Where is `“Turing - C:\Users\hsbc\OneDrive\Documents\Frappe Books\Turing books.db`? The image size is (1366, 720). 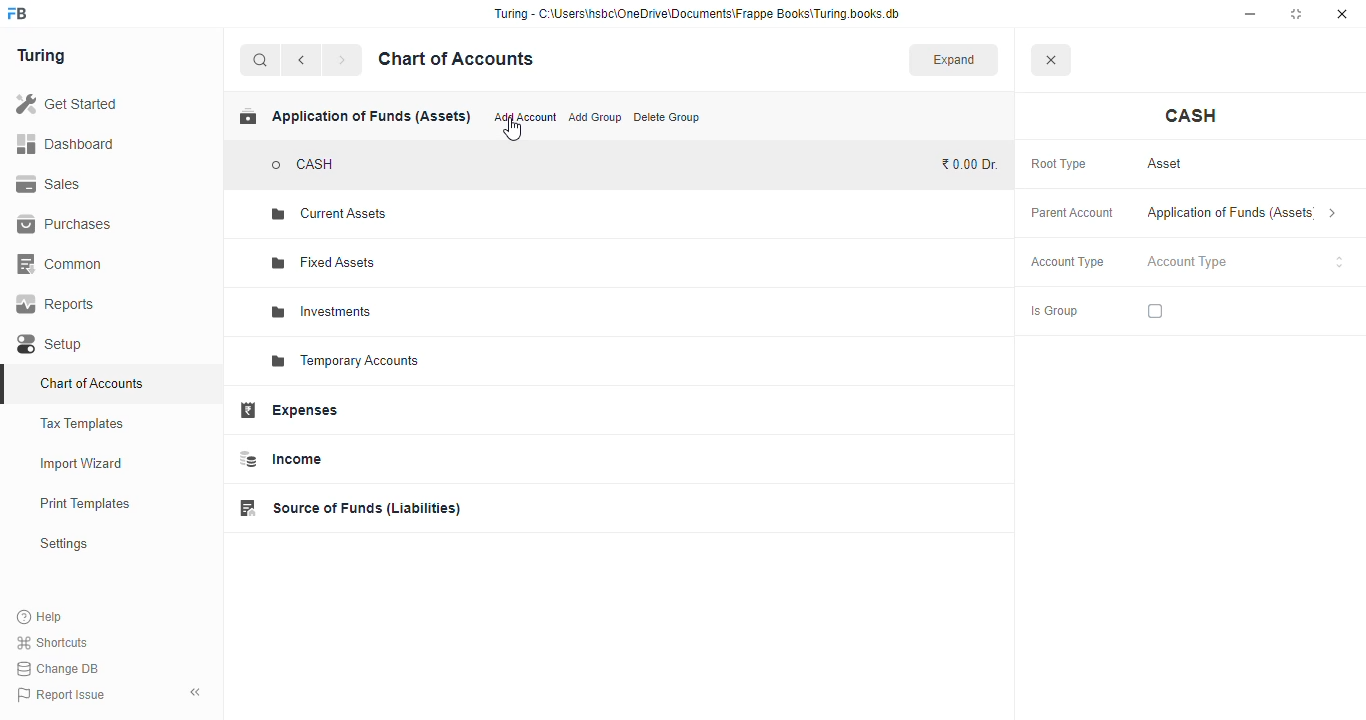 “Turing - C:\Users\hsbc\OneDrive\Documents\Frappe Books\Turing books.db is located at coordinates (696, 13).